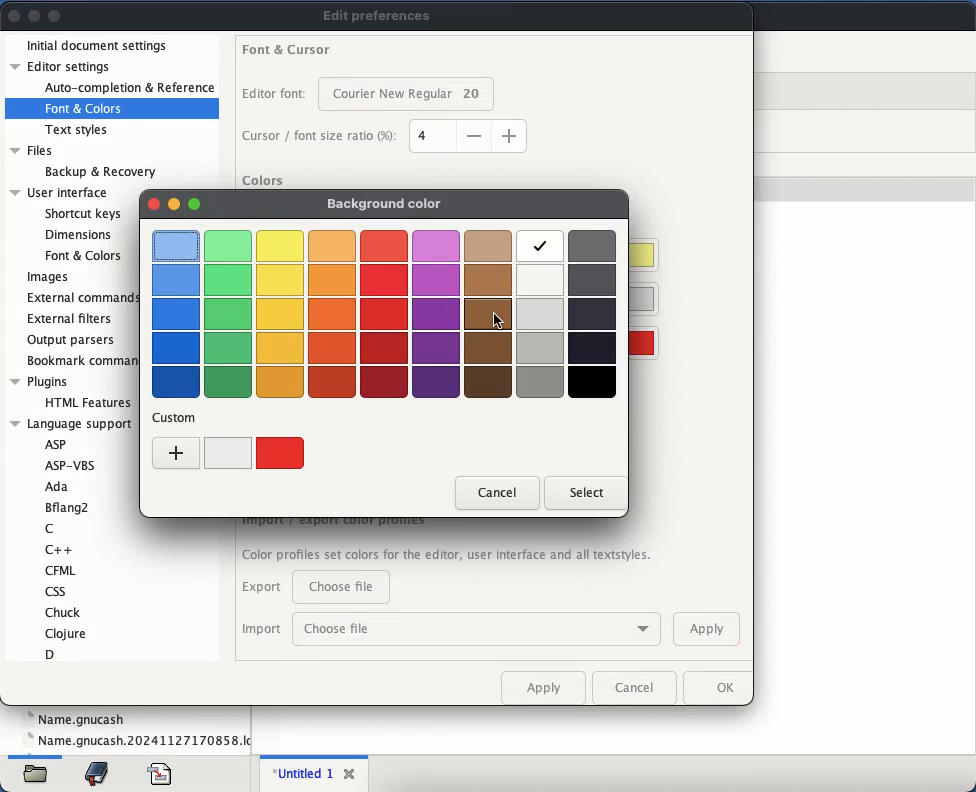 This screenshot has height=792, width=976. I want to click on choose file, so click(477, 628).